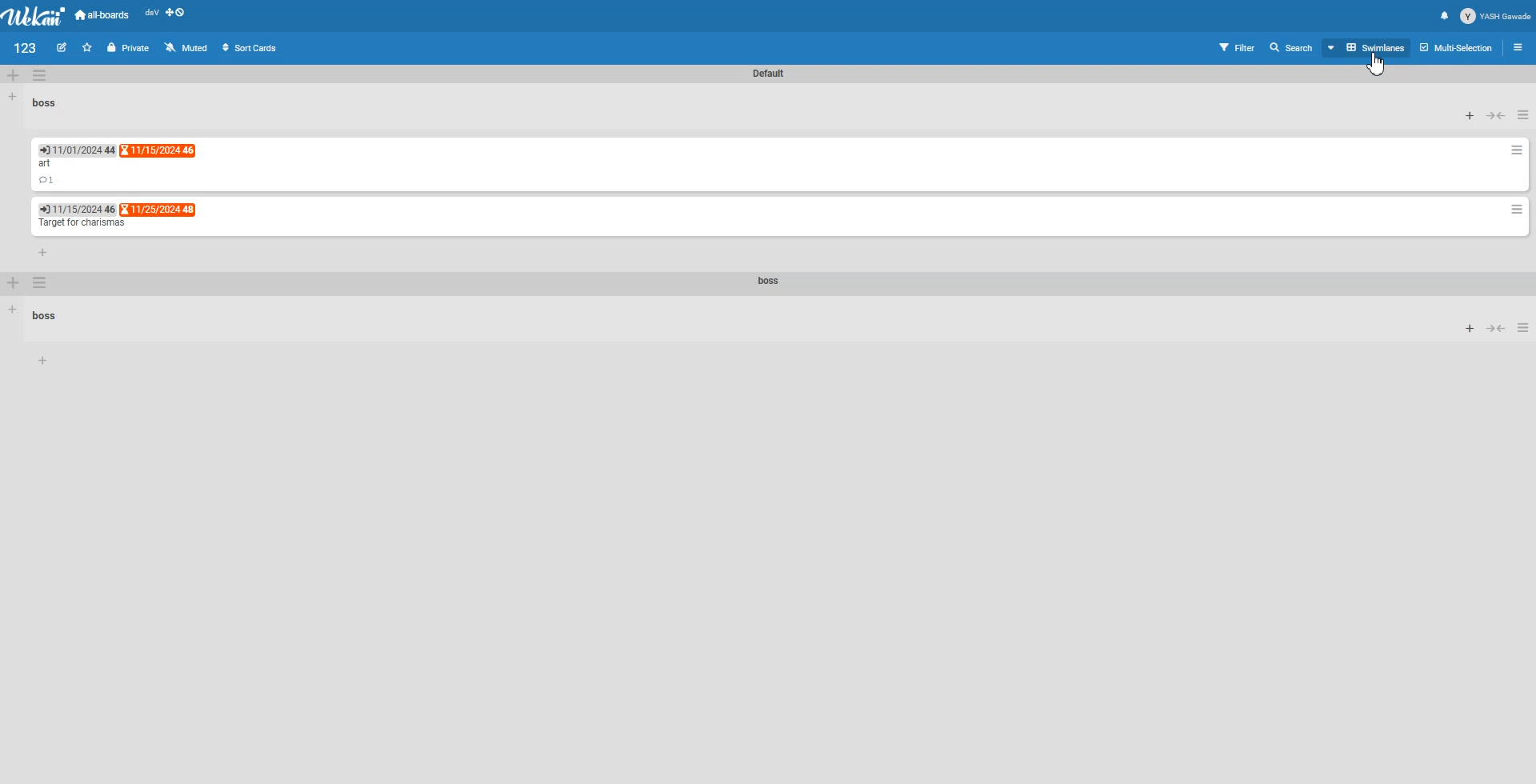  Describe the element at coordinates (87, 47) in the screenshot. I see `Click to star this board` at that location.